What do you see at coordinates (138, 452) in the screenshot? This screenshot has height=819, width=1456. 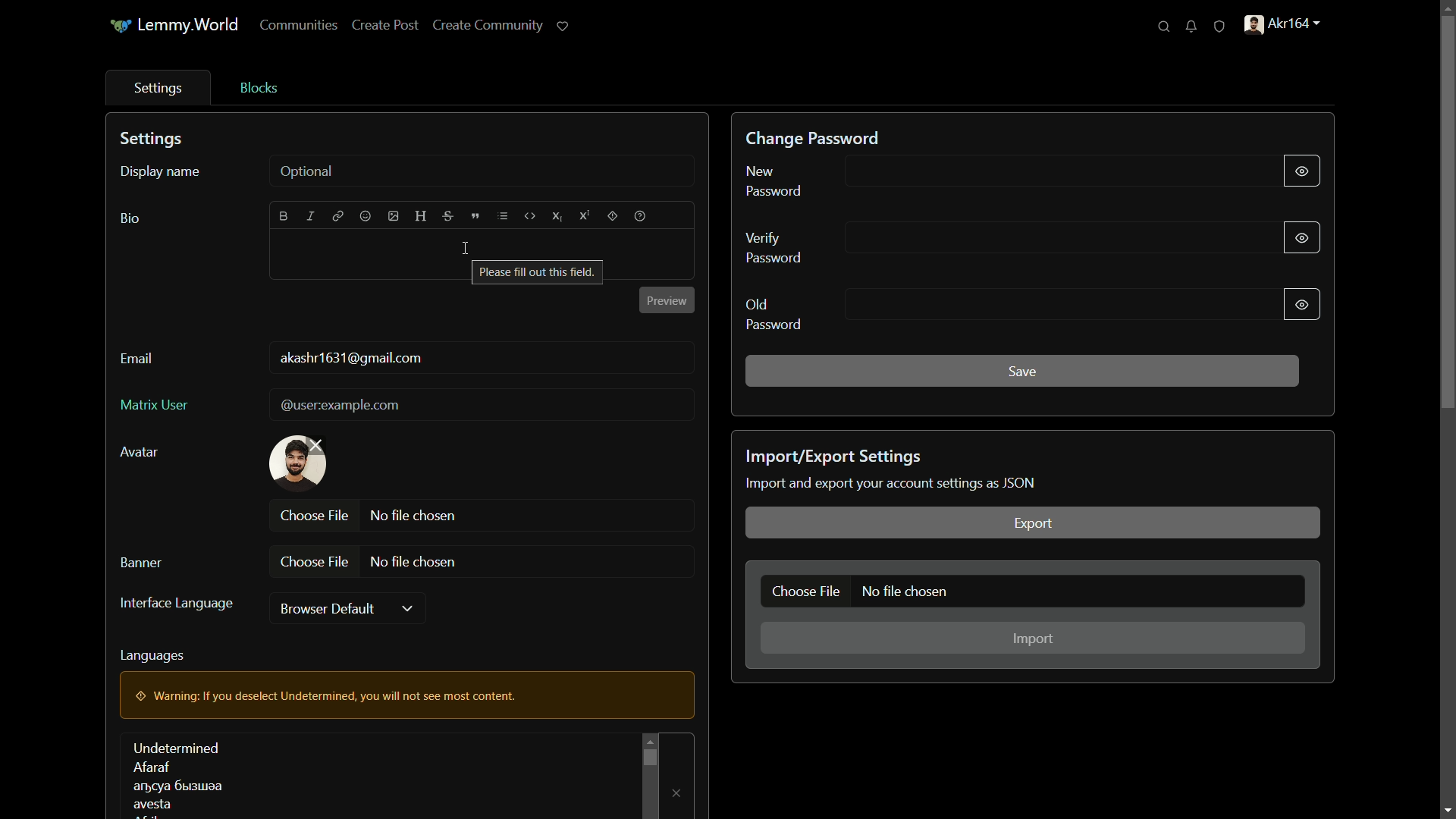 I see `avatar` at bounding box center [138, 452].